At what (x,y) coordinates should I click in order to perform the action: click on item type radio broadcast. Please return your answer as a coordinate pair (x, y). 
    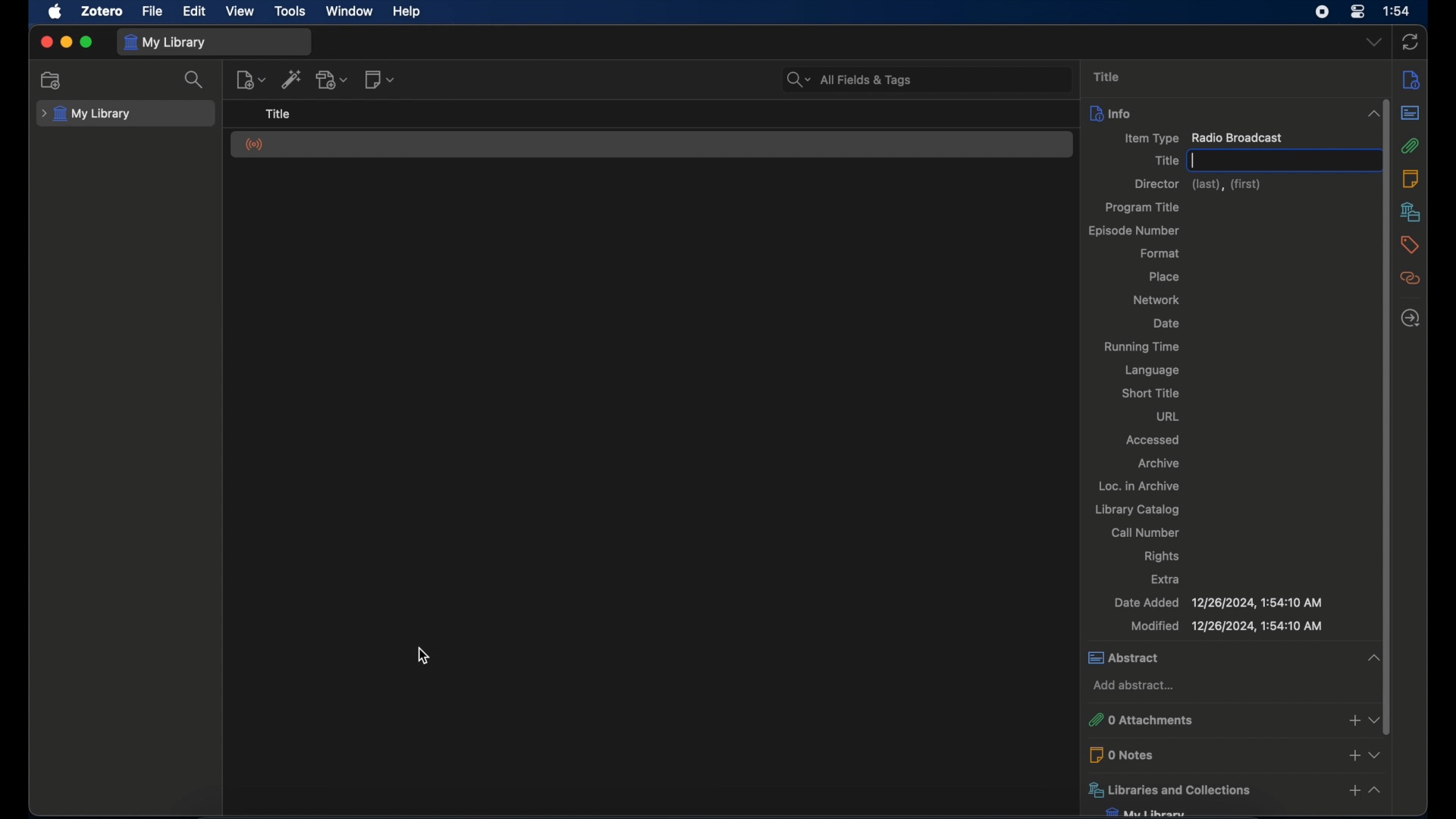
    Looking at the image, I should click on (1203, 139).